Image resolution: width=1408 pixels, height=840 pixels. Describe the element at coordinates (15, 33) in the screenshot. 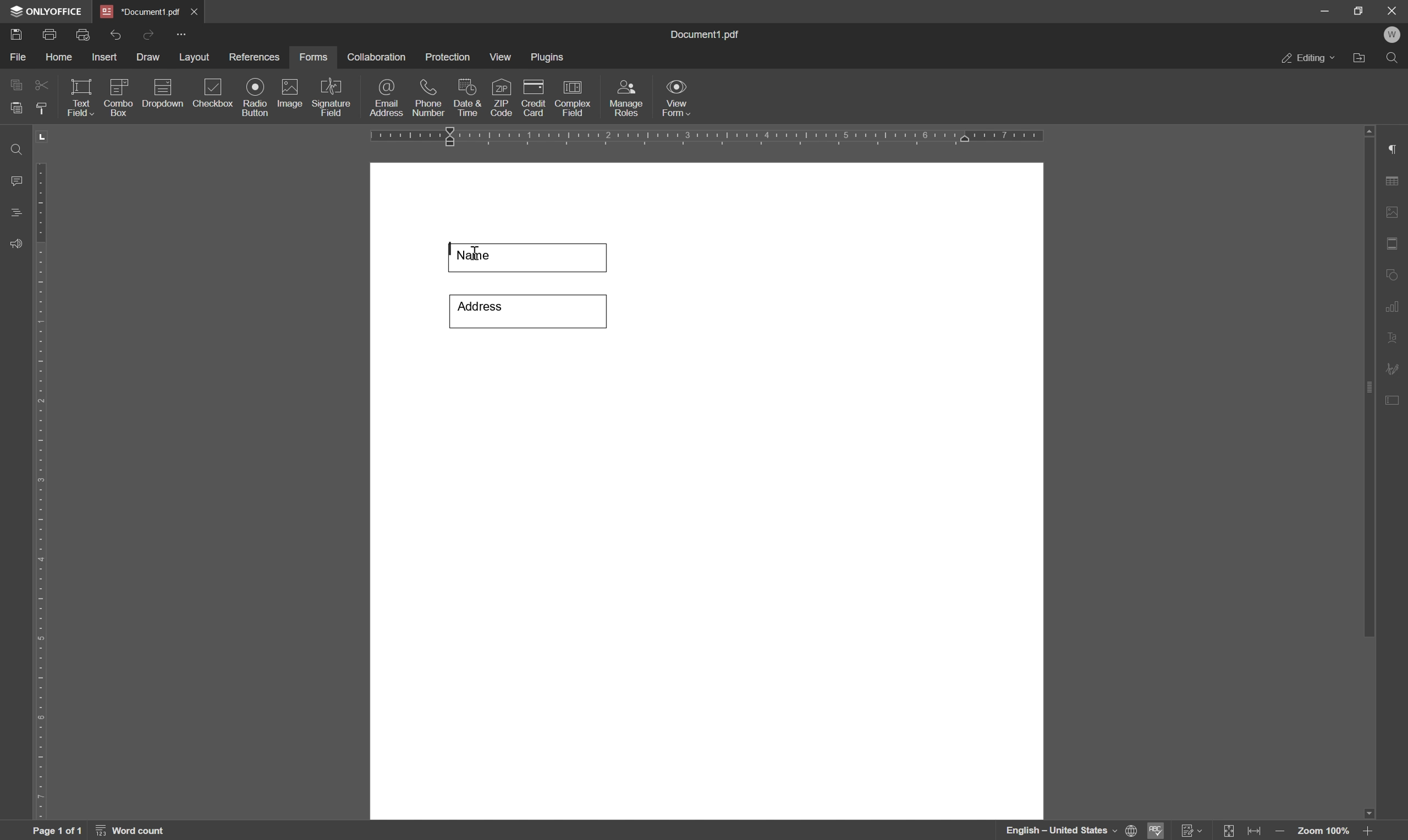

I see `save` at that location.